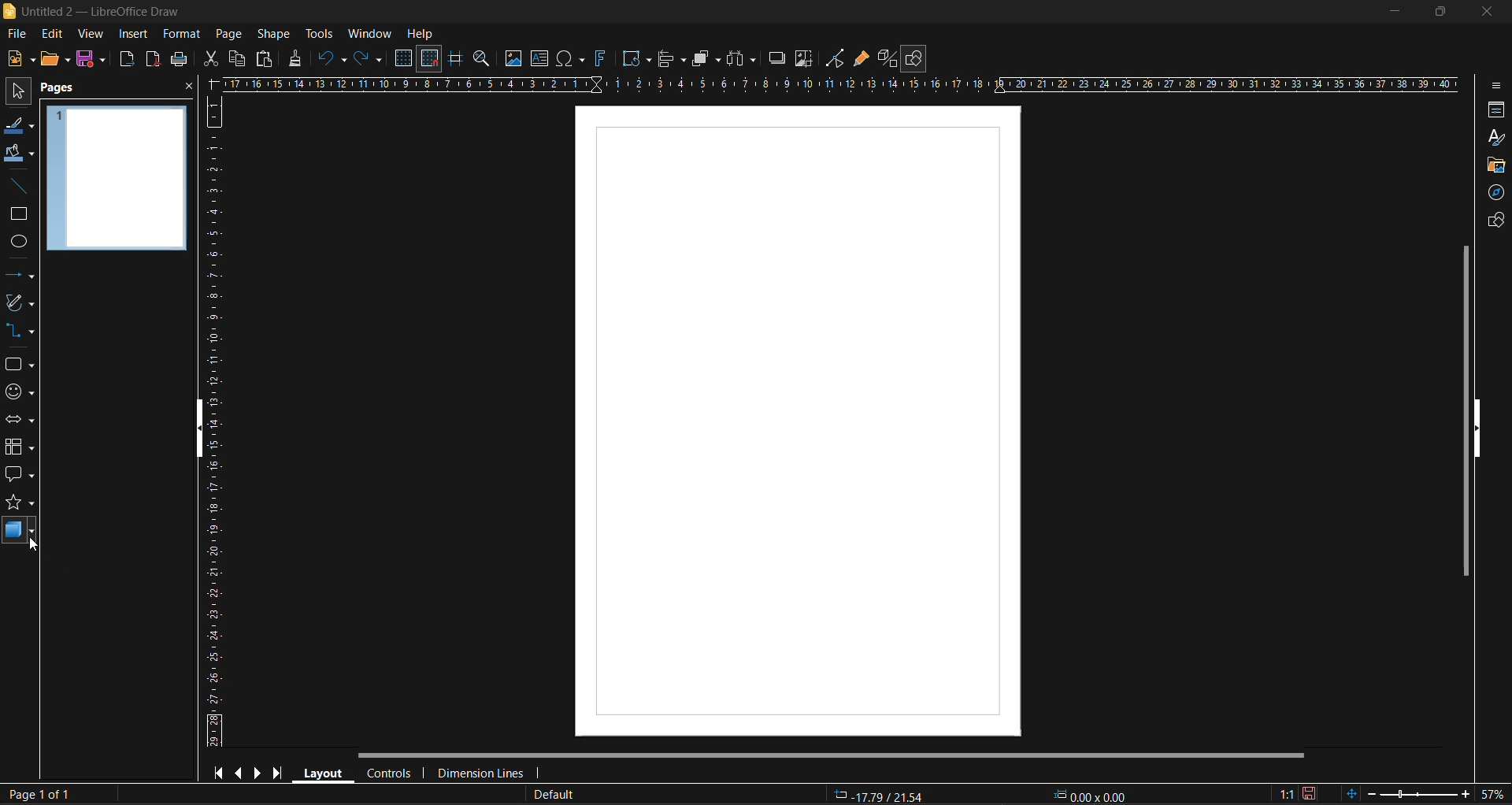 The image size is (1512, 805). I want to click on textbox, so click(542, 58).